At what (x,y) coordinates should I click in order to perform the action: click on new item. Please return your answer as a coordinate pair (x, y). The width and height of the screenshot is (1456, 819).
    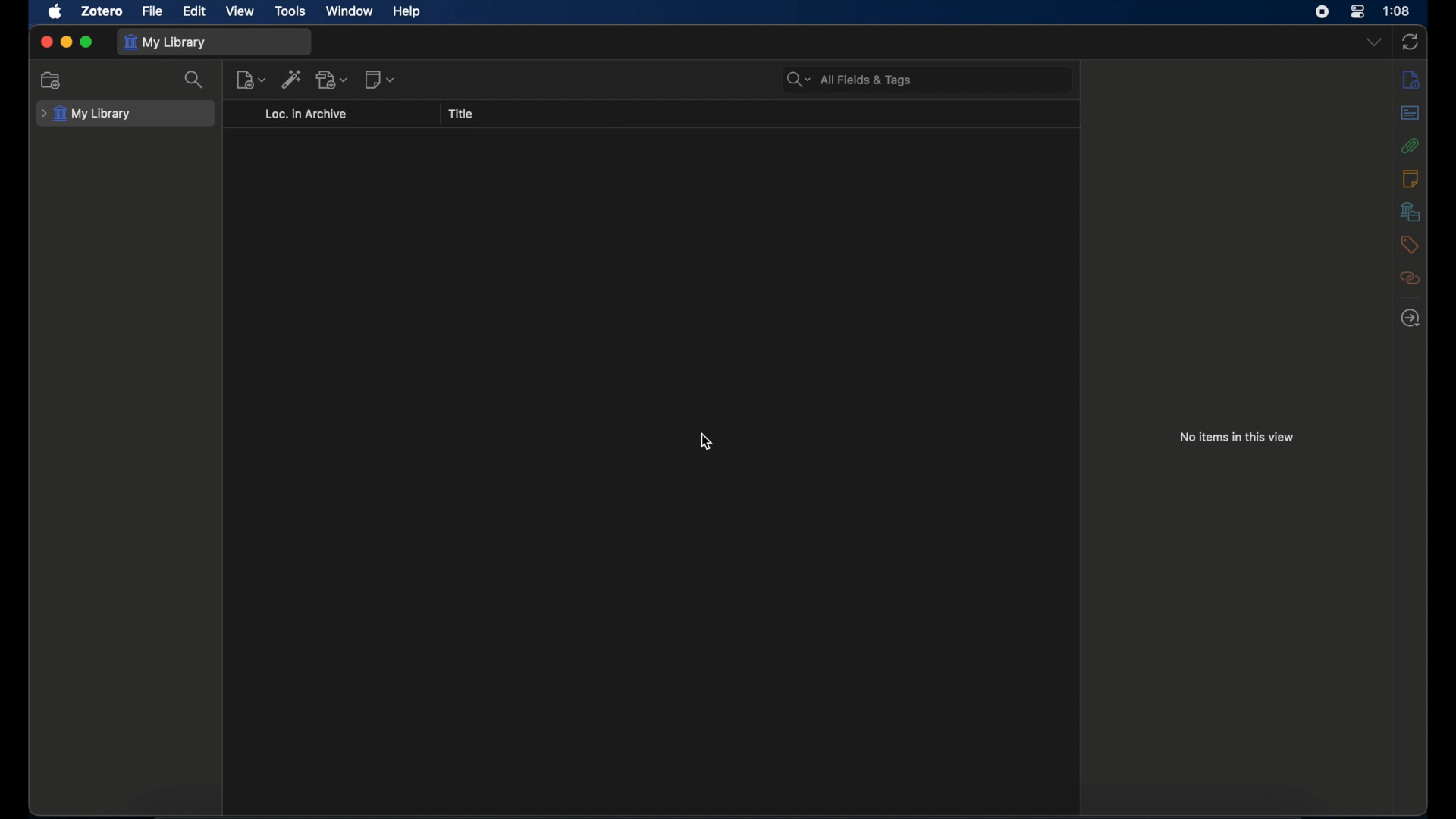
    Looking at the image, I should click on (250, 80).